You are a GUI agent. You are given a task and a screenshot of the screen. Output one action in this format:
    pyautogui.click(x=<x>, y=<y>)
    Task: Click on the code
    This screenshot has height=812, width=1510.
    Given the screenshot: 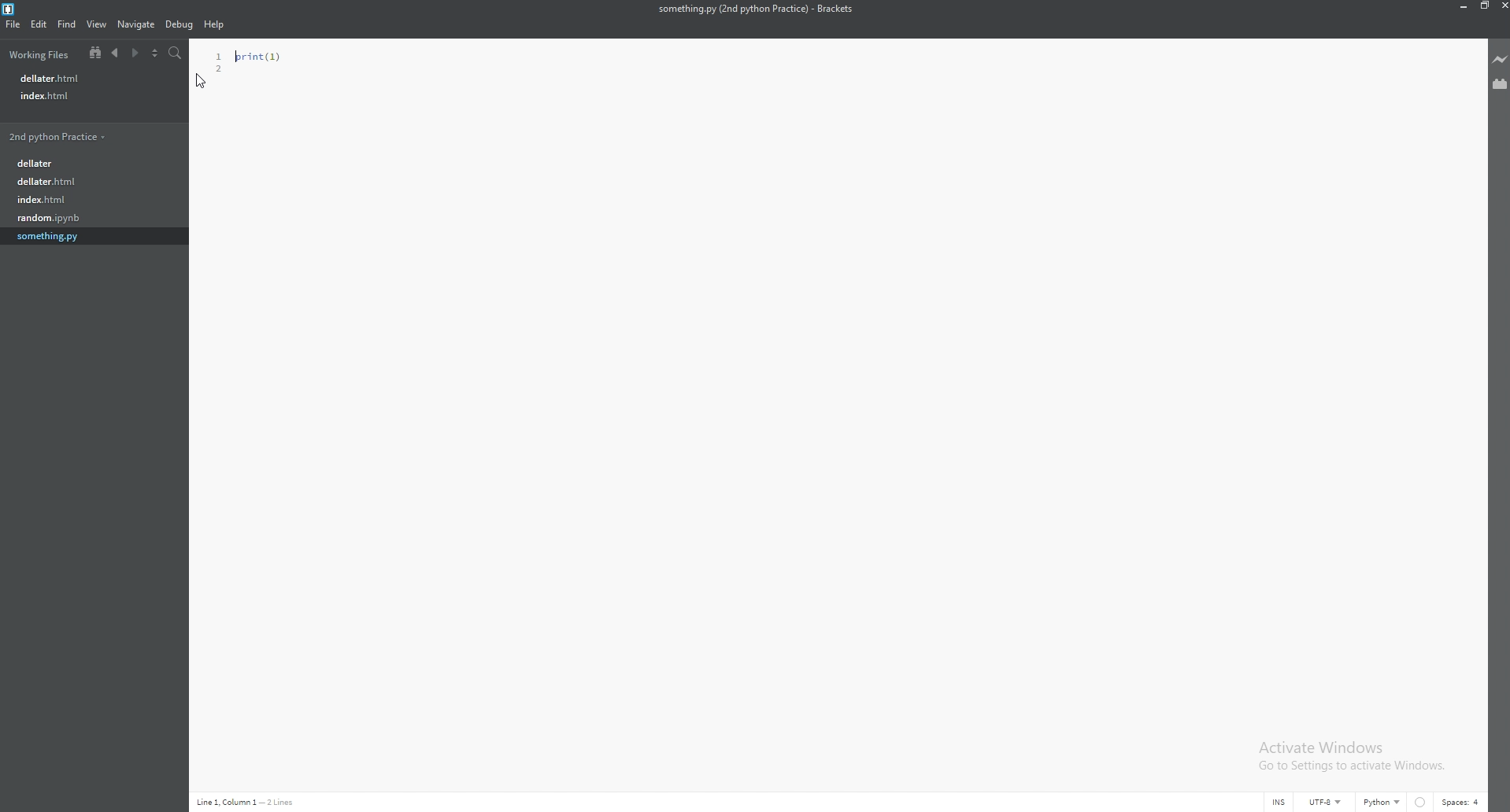 What is the action you would take?
    pyautogui.click(x=237, y=56)
    